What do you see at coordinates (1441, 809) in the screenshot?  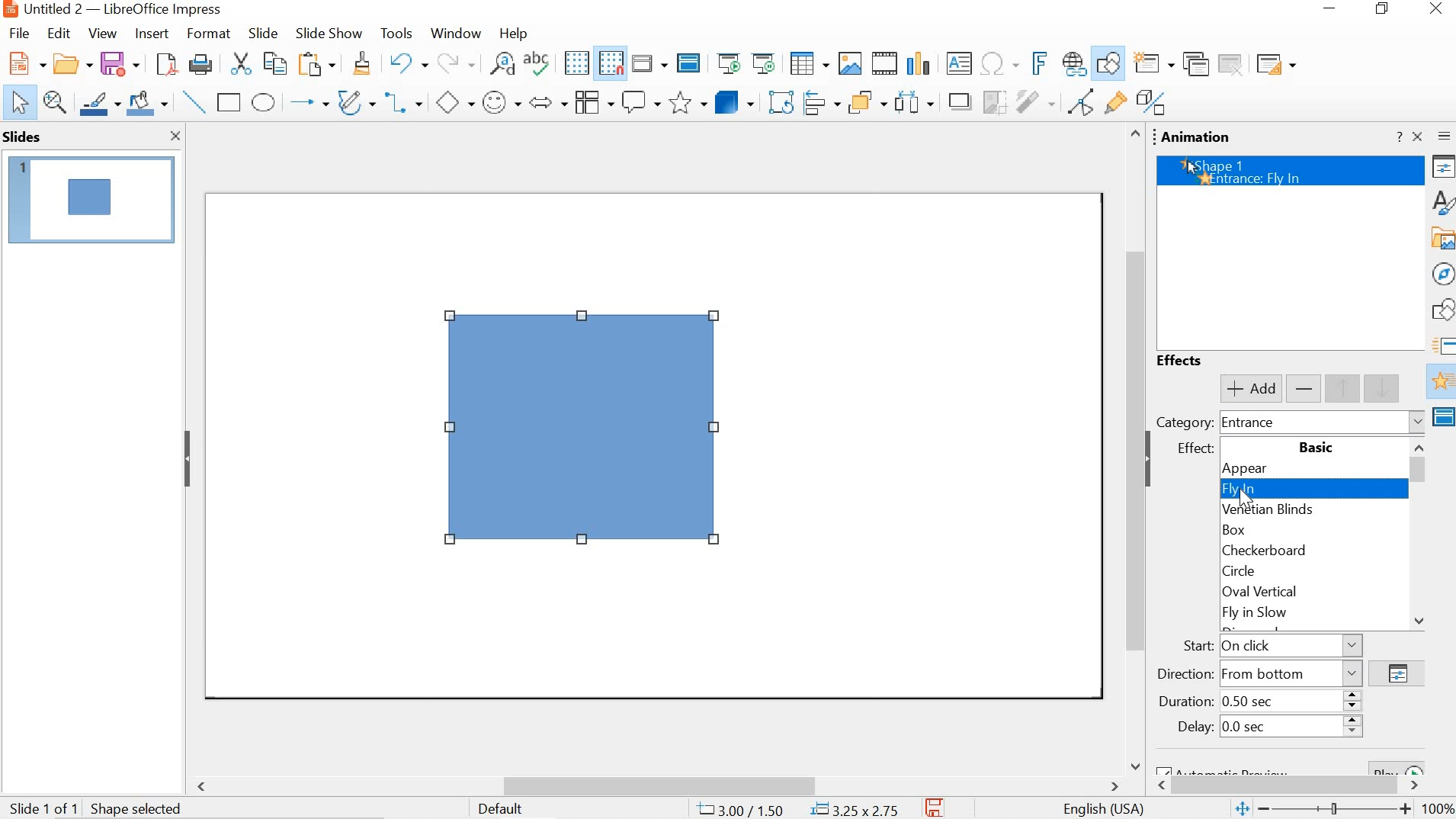 I see `zoom factor` at bounding box center [1441, 809].